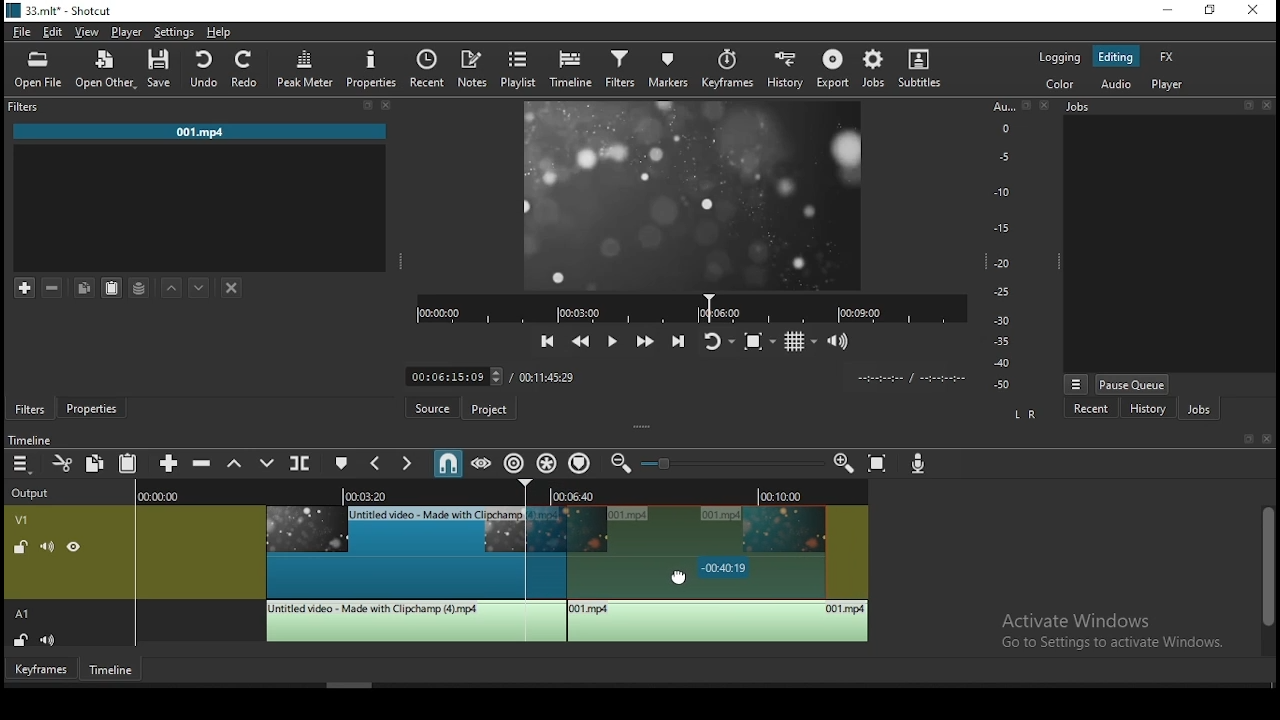 This screenshot has width=1280, height=720. What do you see at coordinates (54, 30) in the screenshot?
I see `edit` at bounding box center [54, 30].